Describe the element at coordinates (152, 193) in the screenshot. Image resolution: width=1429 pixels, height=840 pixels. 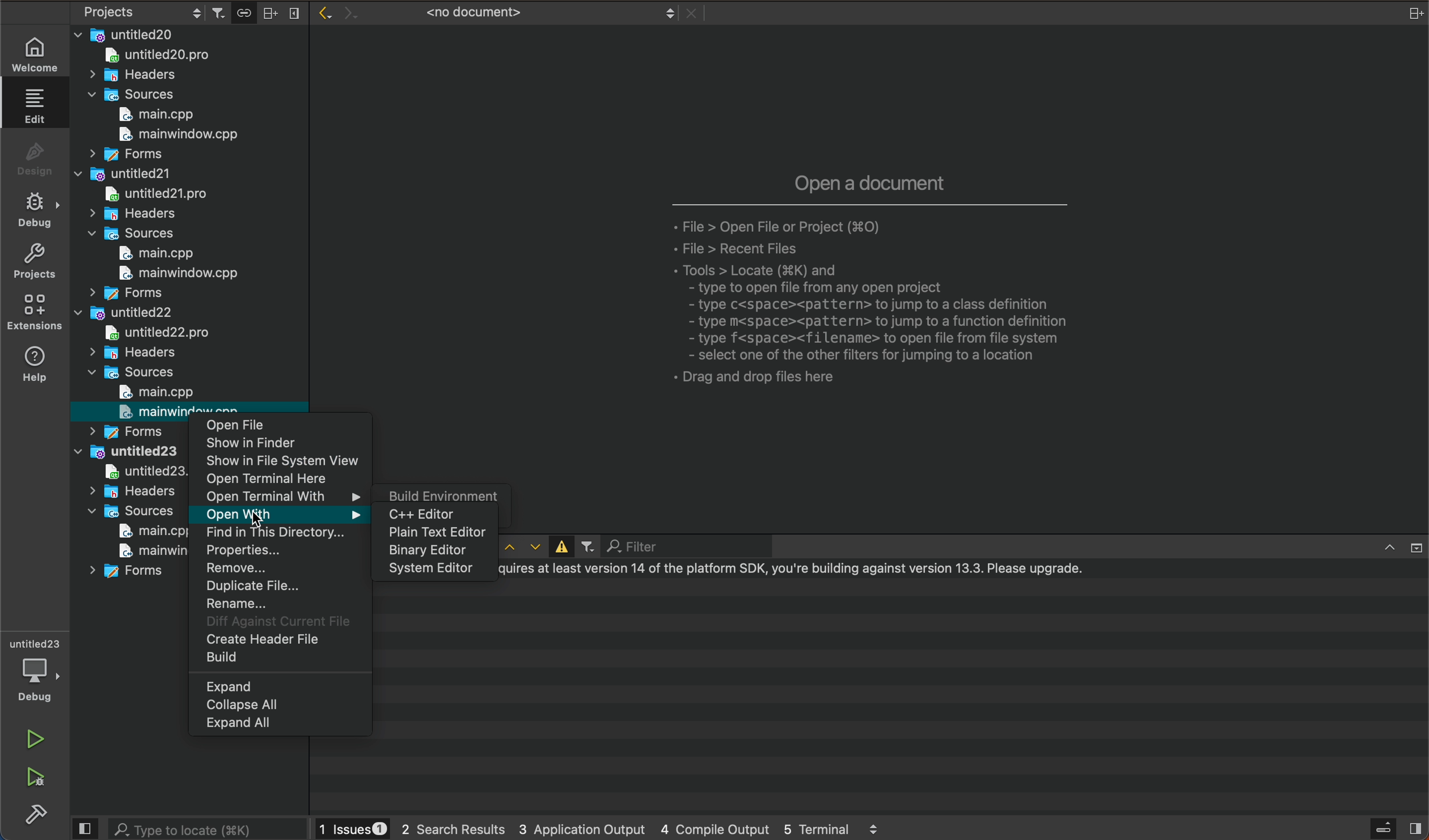
I see `untitled20pro` at that location.